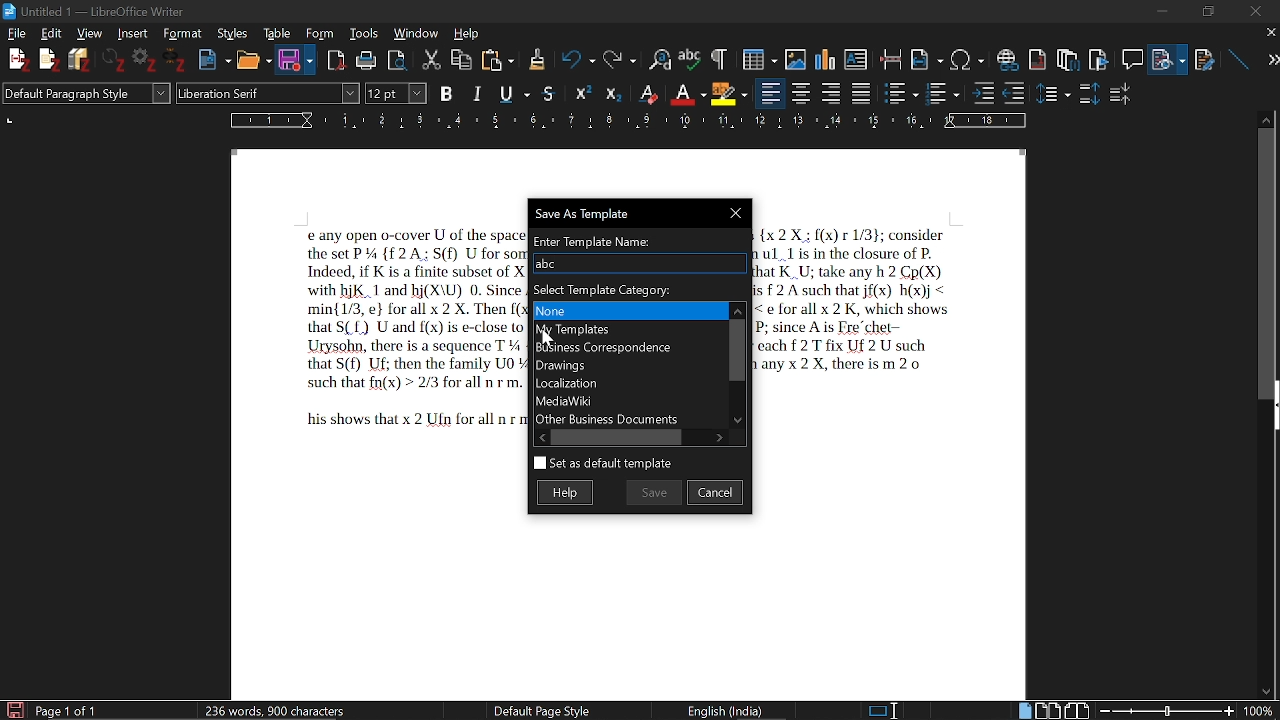  Describe the element at coordinates (539, 437) in the screenshot. I see `Move left` at that location.